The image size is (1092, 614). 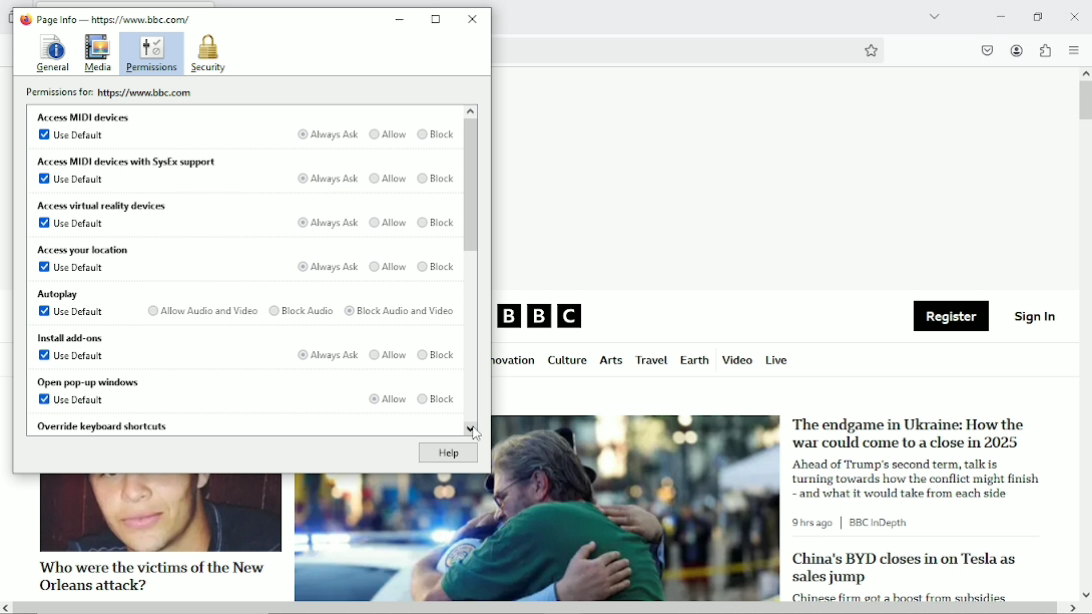 What do you see at coordinates (932, 16) in the screenshot?
I see `List all tabs` at bounding box center [932, 16].